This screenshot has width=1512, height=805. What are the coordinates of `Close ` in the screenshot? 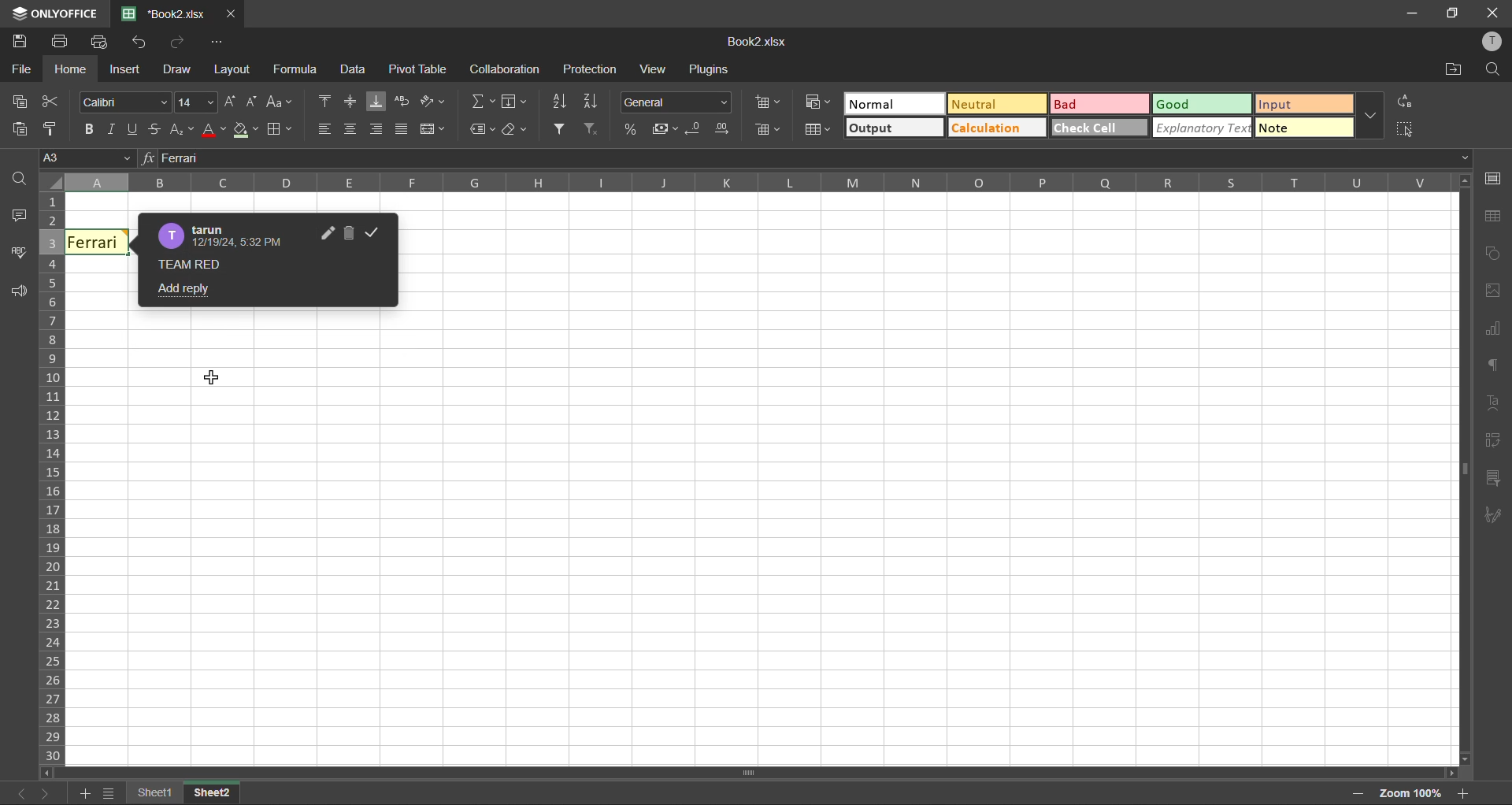 It's located at (1493, 11).